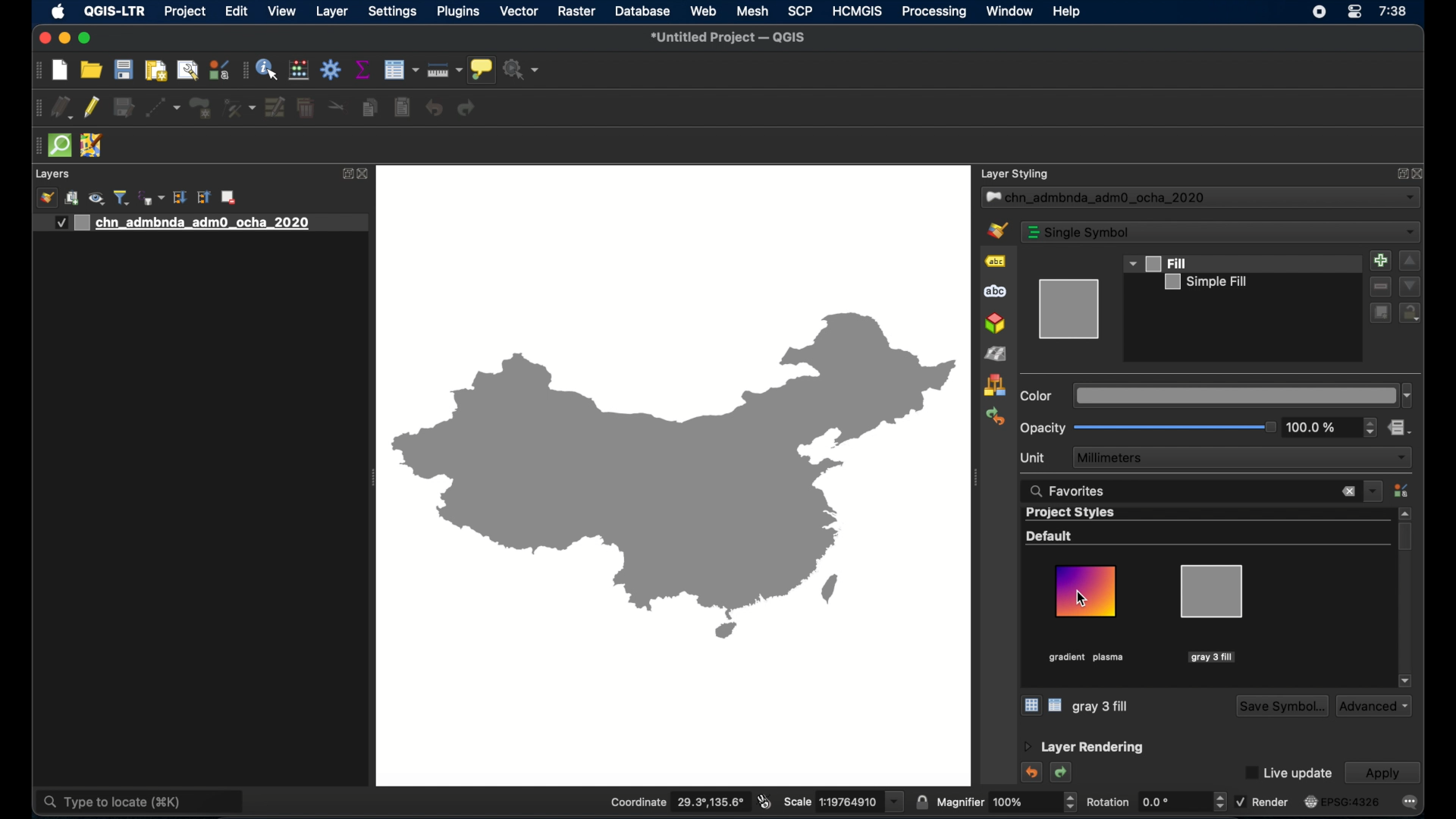 This screenshot has height=819, width=1456. Describe the element at coordinates (1398, 175) in the screenshot. I see `maximize` at that location.